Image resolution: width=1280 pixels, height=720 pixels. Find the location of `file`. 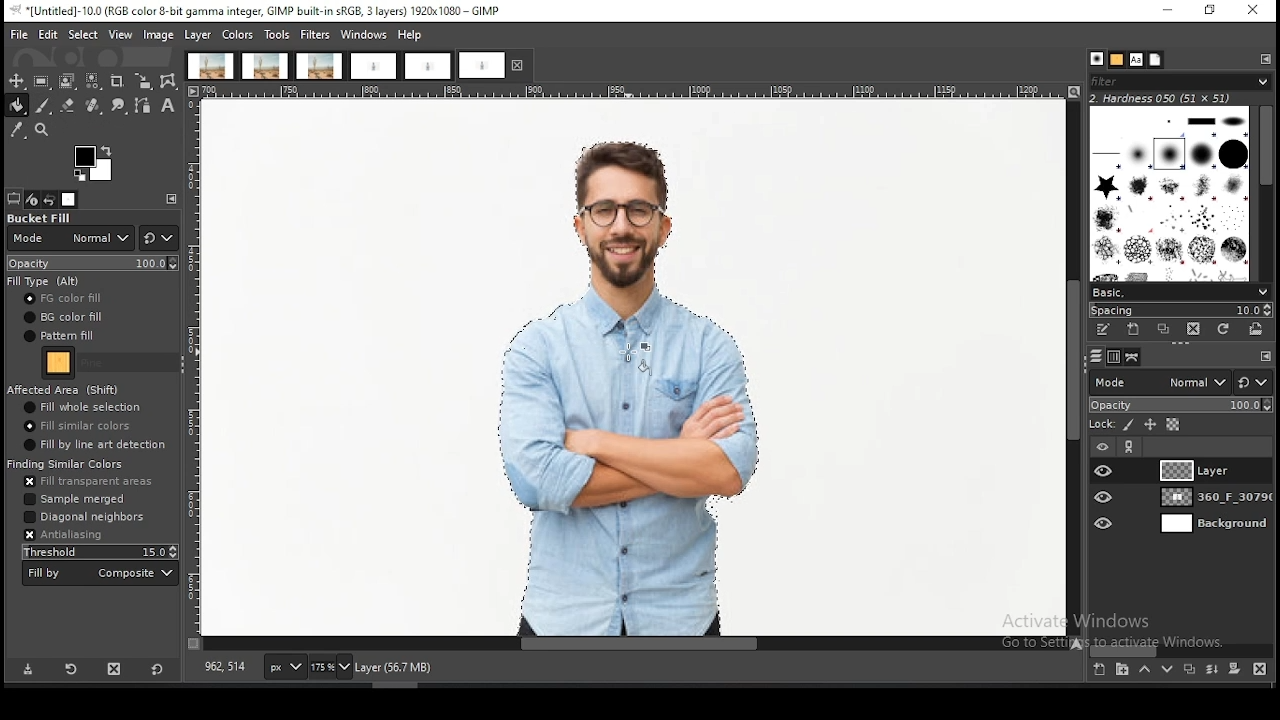

file is located at coordinates (20, 35).